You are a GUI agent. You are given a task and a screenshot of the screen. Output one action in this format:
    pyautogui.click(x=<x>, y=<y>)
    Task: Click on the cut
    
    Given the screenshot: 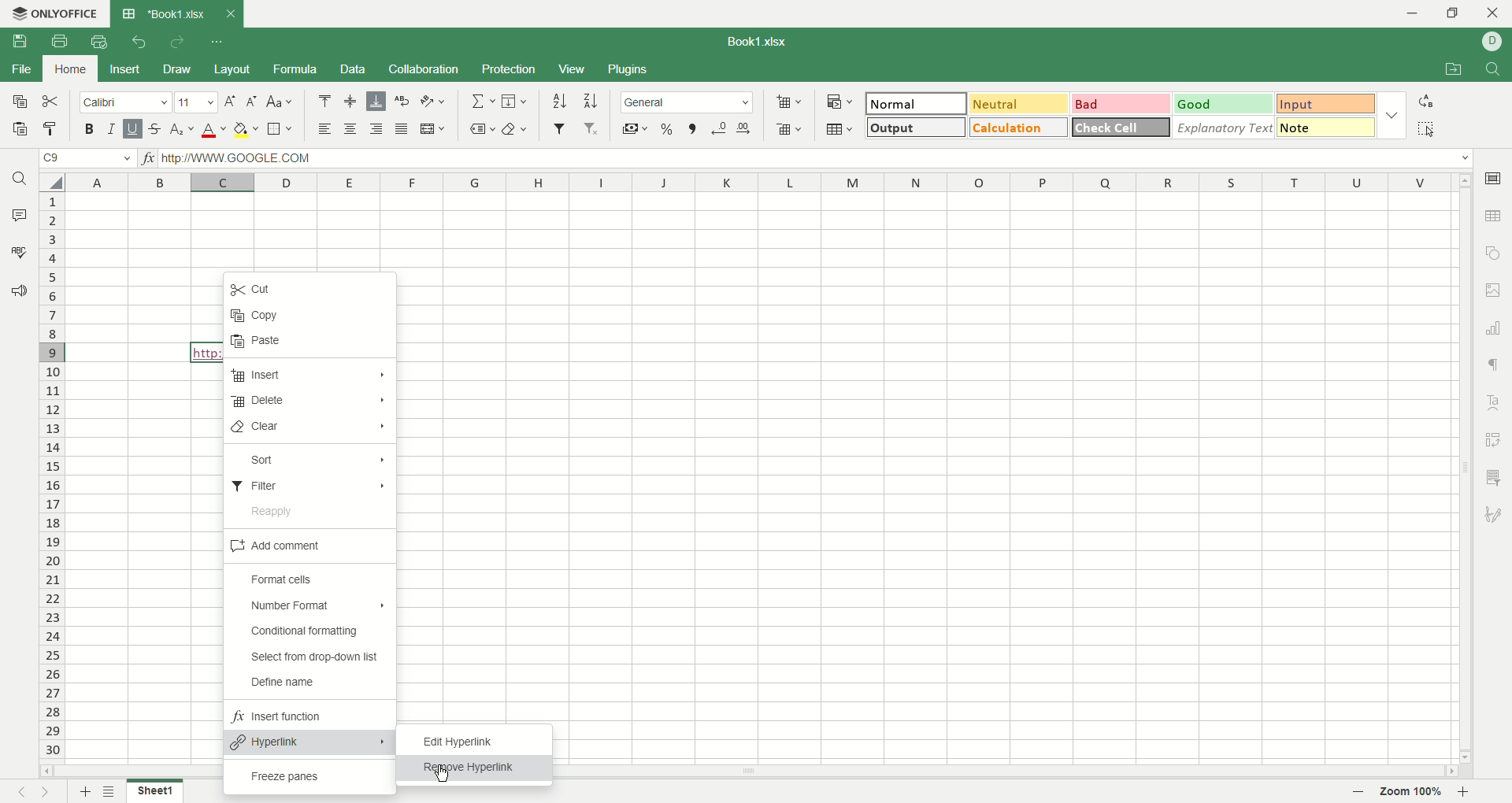 What is the action you would take?
    pyautogui.click(x=54, y=103)
    